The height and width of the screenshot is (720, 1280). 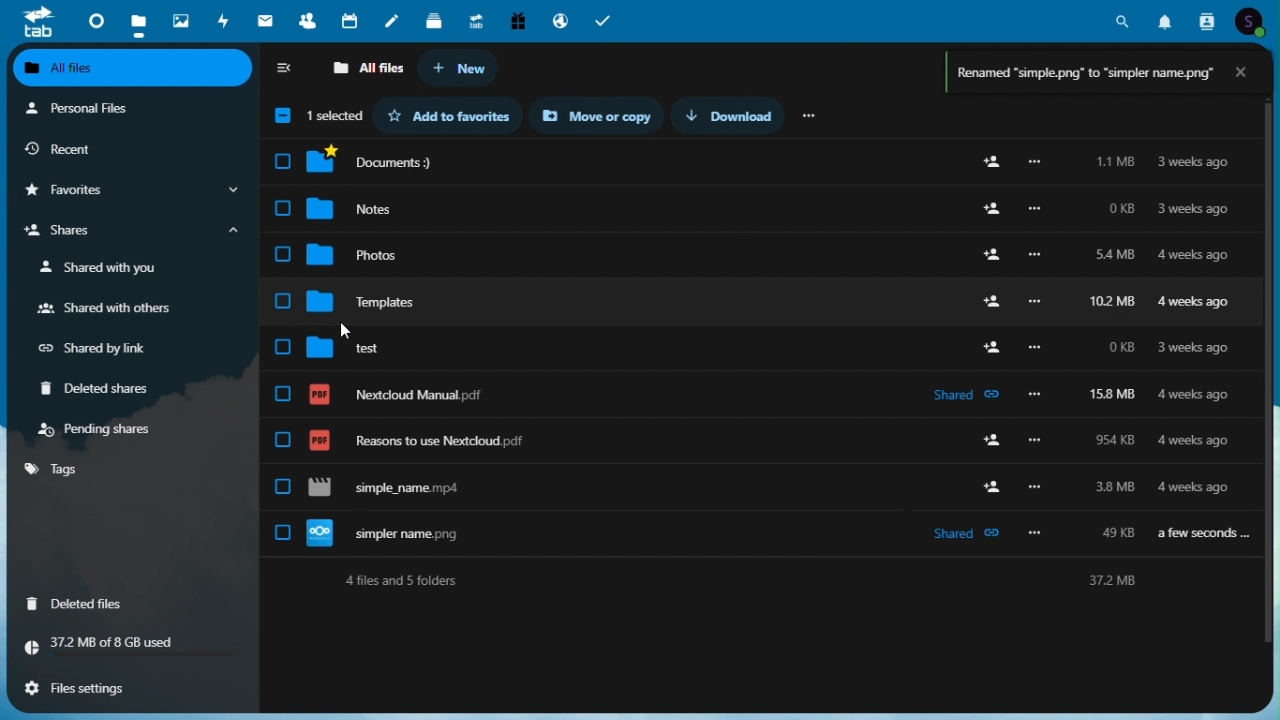 I want to click on Account icon, so click(x=1255, y=19).